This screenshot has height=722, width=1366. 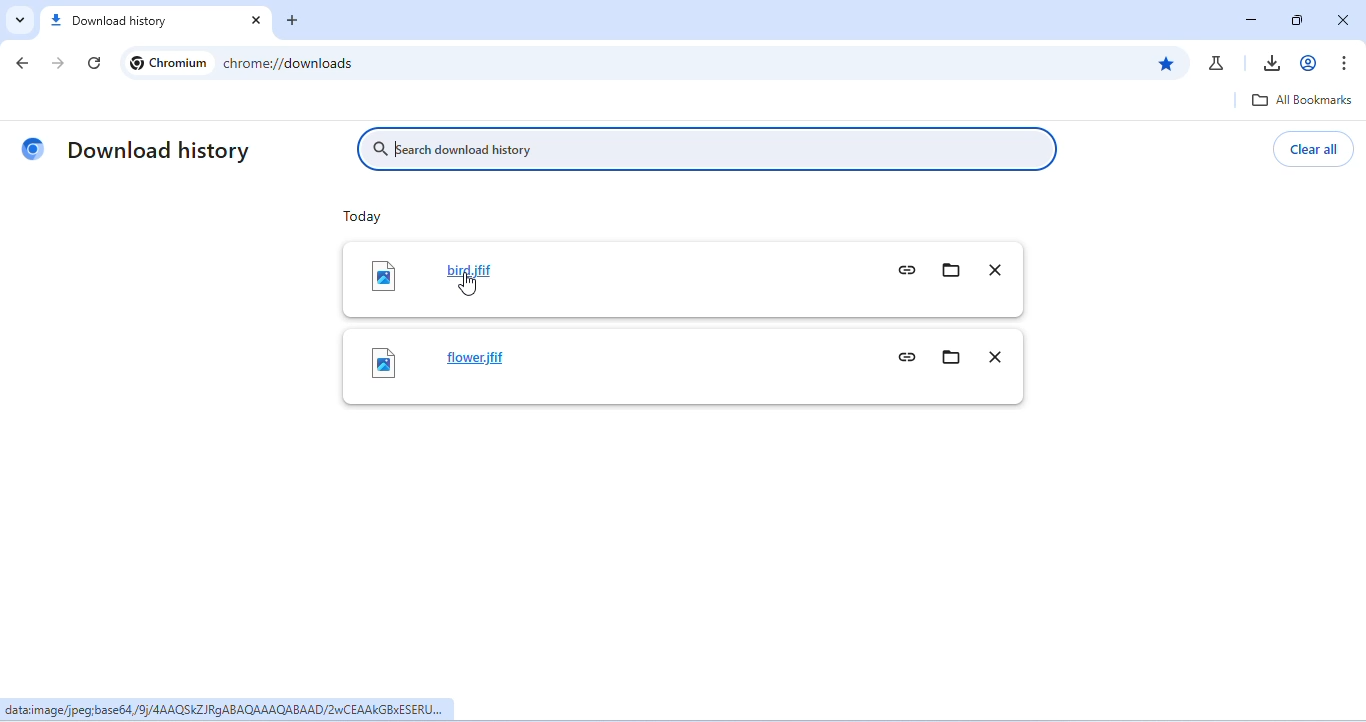 What do you see at coordinates (397, 147) in the screenshot?
I see `typing cursor` at bounding box center [397, 147].